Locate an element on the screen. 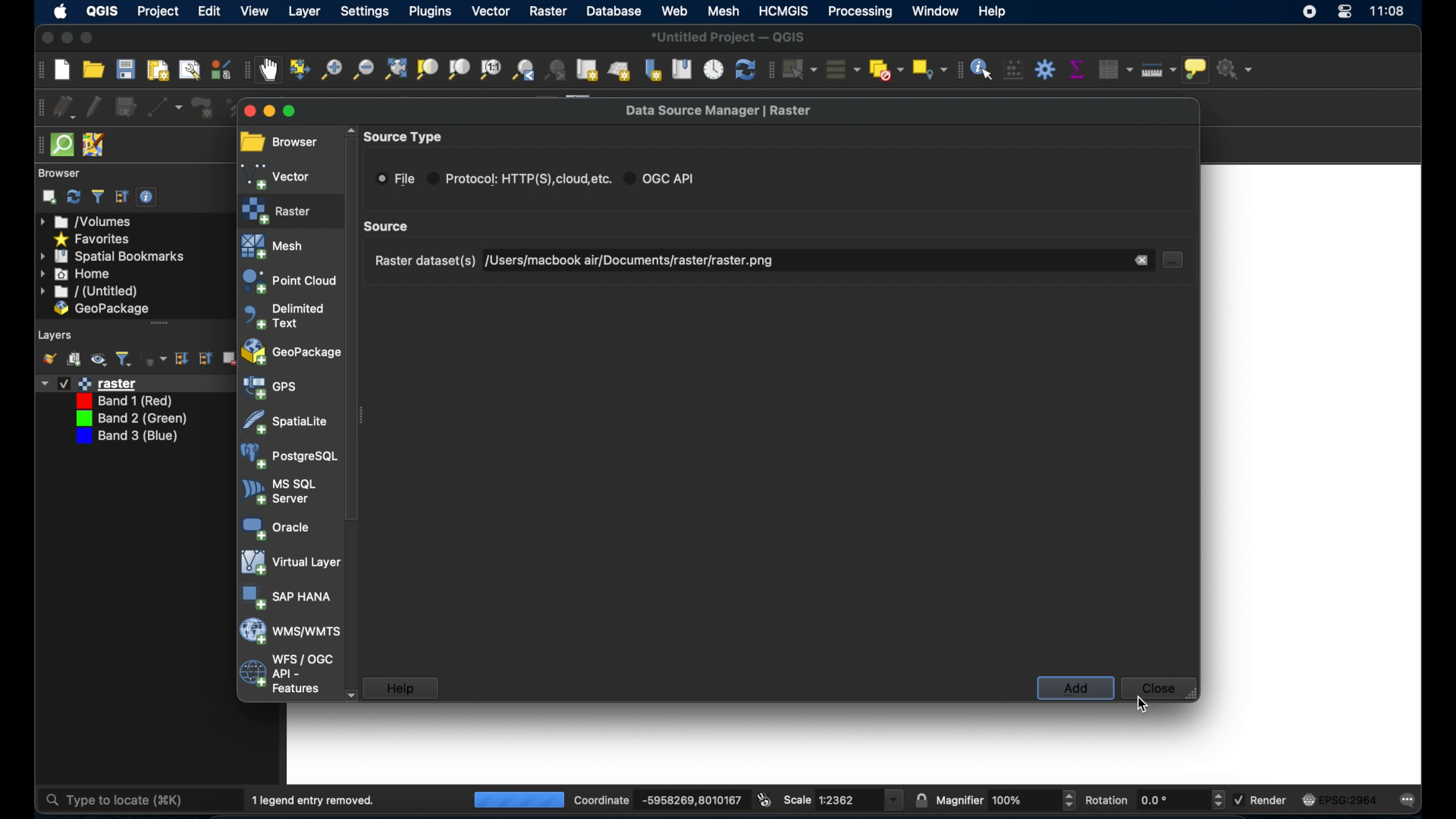 The width and height of the screenshot is (1456, 819). open field calculator is located at coordinates (1013, 69).